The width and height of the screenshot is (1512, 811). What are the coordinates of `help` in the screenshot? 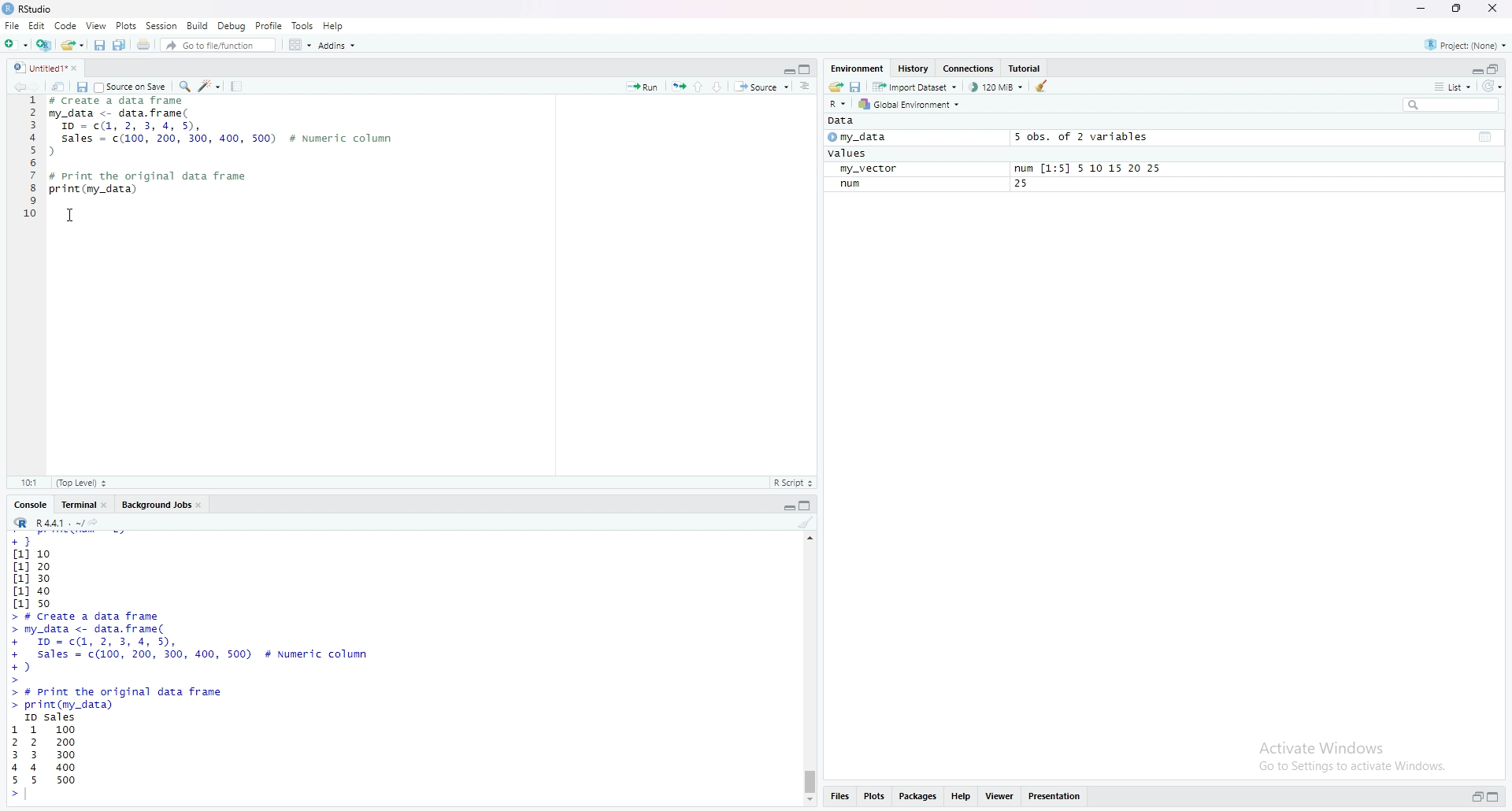 It's located at (962, 799).